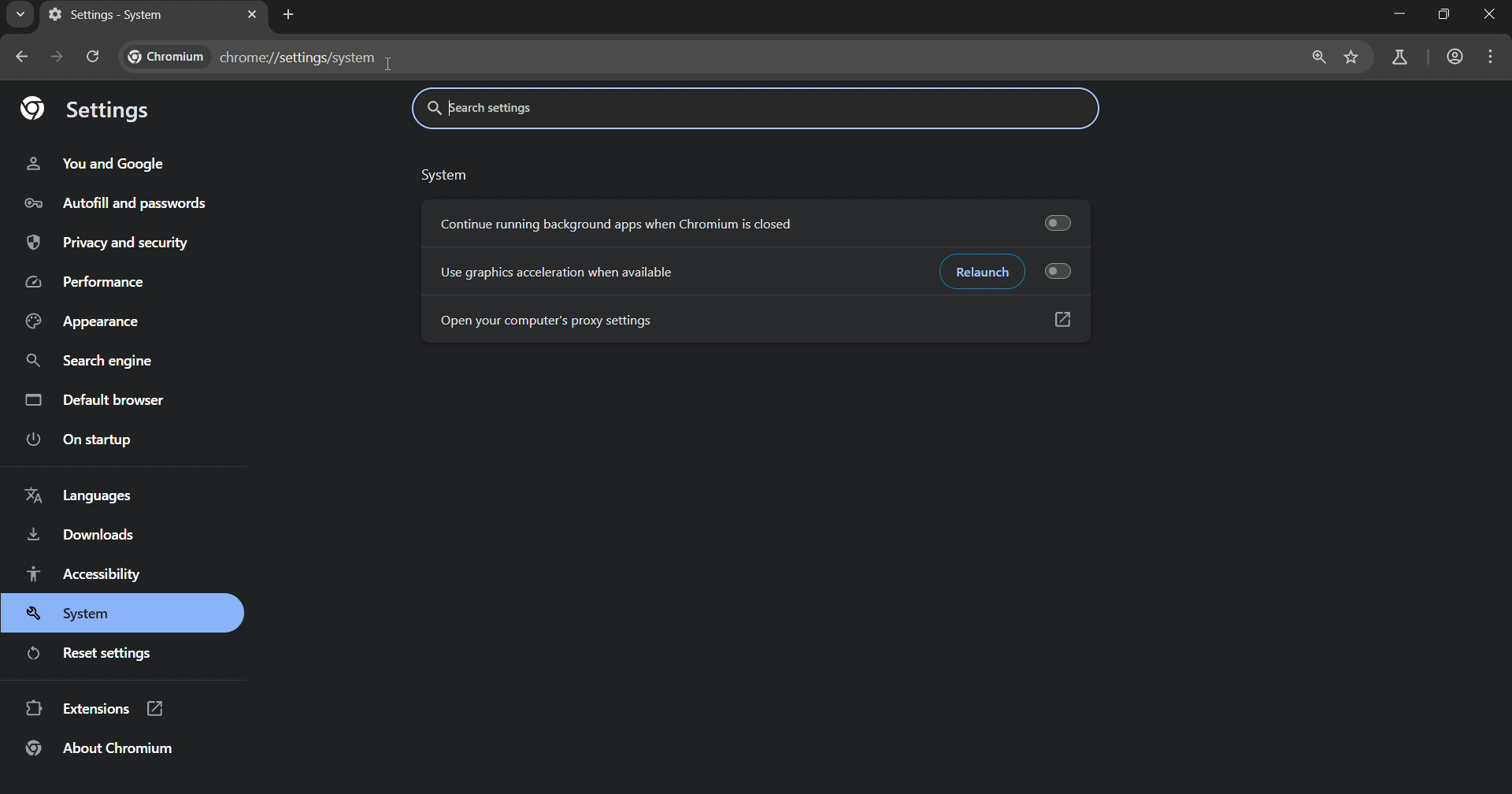 This screenshot has height=794, width=1512. I want to click on autofill and passwords, so click(110, 203).